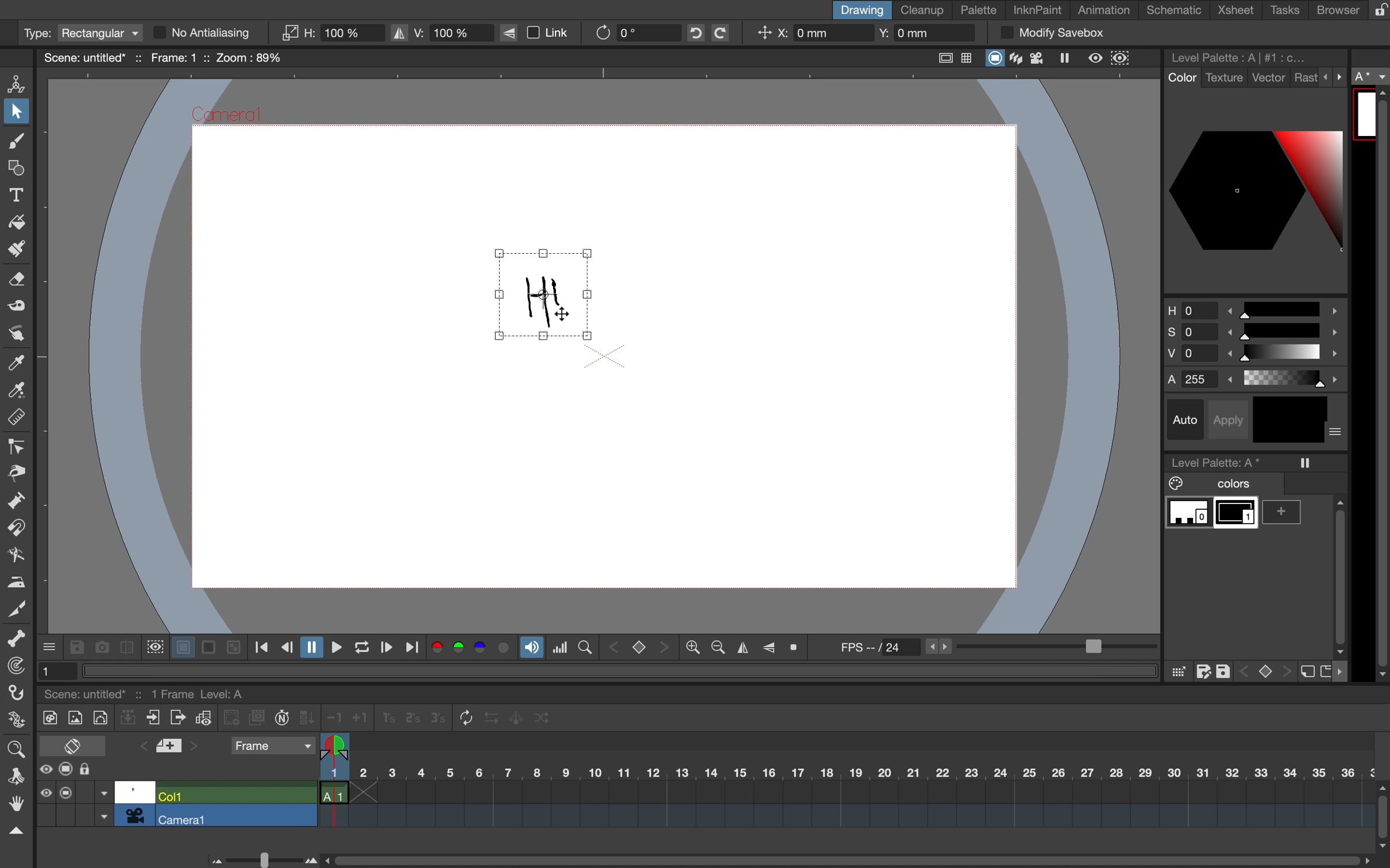 Image resolution: width=1390 pixels, height=868 pixels. Describe the element at coordinates (441, 32) in the screenshot. I see `vertical scaling` at that location.